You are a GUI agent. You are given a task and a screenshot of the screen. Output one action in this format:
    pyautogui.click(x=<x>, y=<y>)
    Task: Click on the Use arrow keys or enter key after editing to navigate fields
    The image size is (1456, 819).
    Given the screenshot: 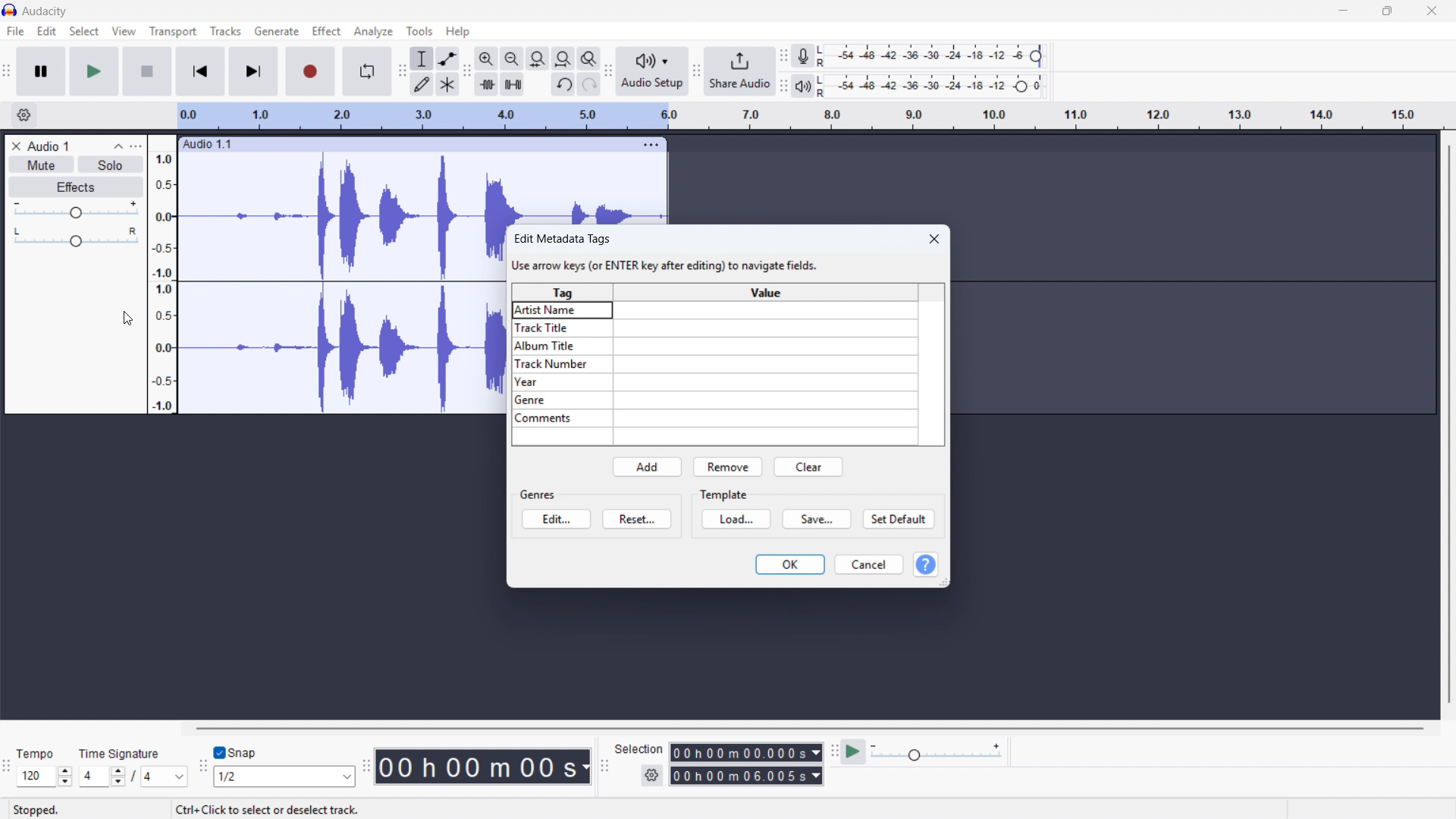 What is the action you would take?
    pyautogui.click(x=666, y=264)
    